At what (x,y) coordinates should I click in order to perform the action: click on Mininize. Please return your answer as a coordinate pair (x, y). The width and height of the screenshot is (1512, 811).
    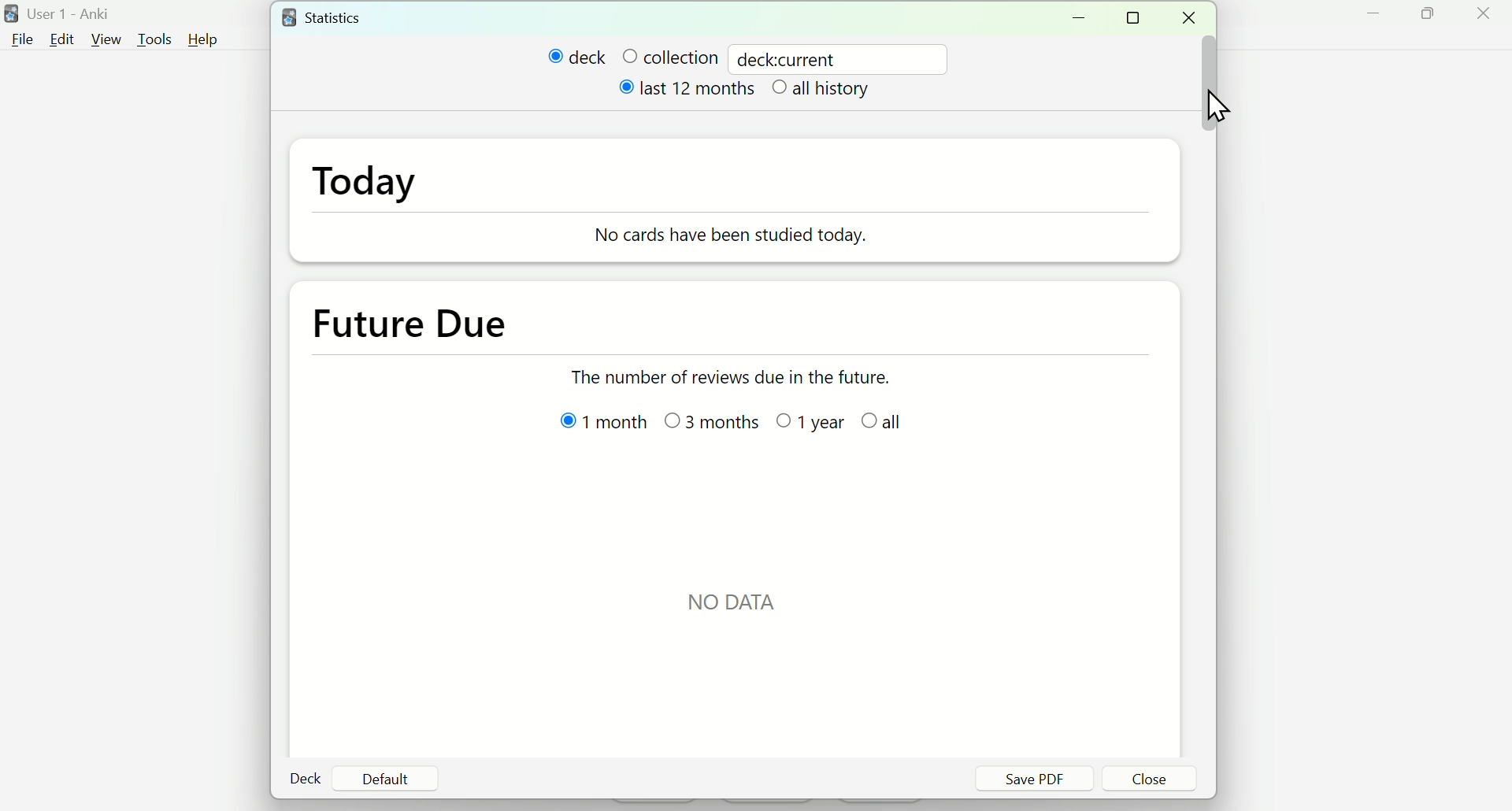
    Looking at the image, I should click on (1084, 17).